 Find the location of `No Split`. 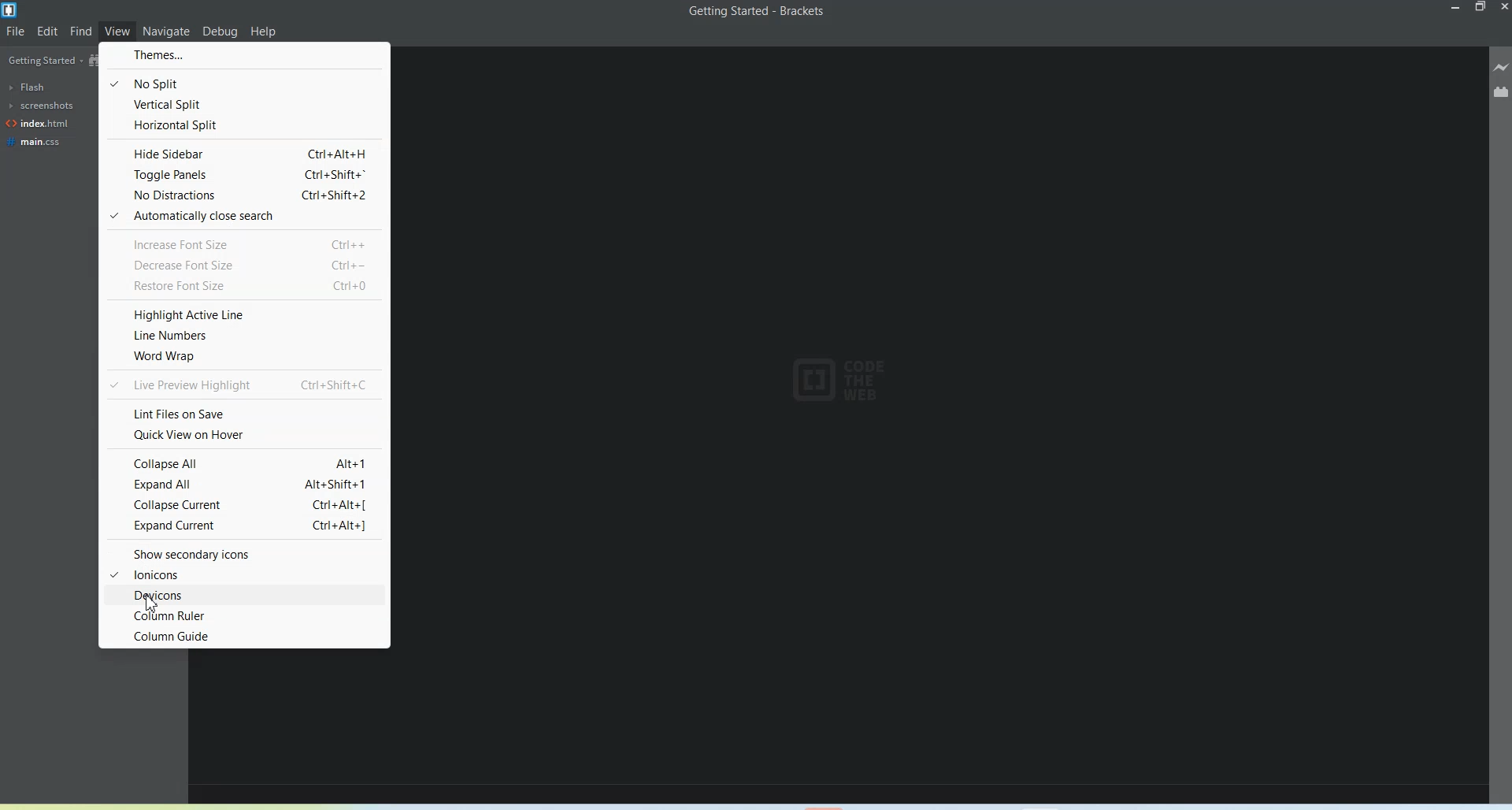

No Split is located at coordinates (243, 83).